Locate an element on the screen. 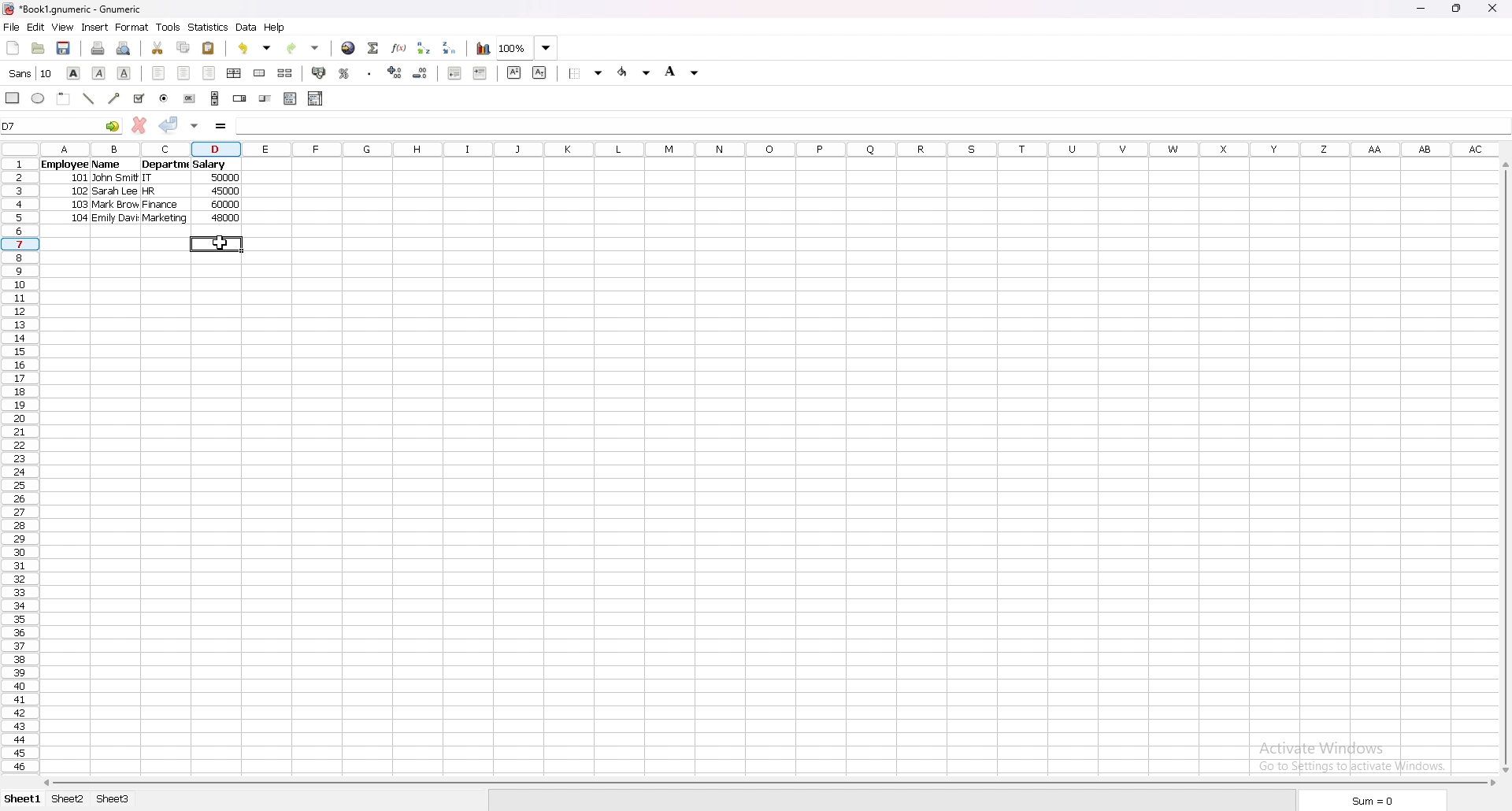 This screenshot has width=1512, height=811. radio button is located at coordinates (164, 98).